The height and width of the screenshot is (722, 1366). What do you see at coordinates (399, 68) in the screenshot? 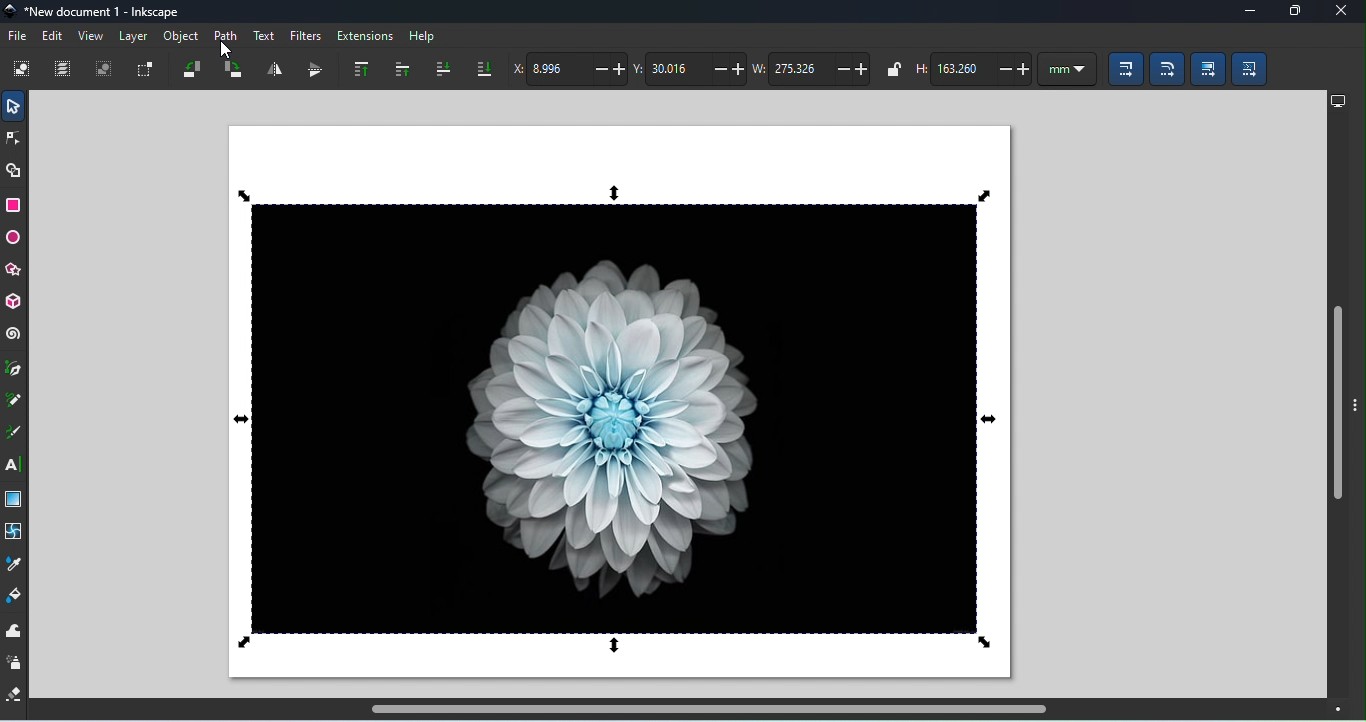
I see `raise selection one step` at bounding box center [399, 68].